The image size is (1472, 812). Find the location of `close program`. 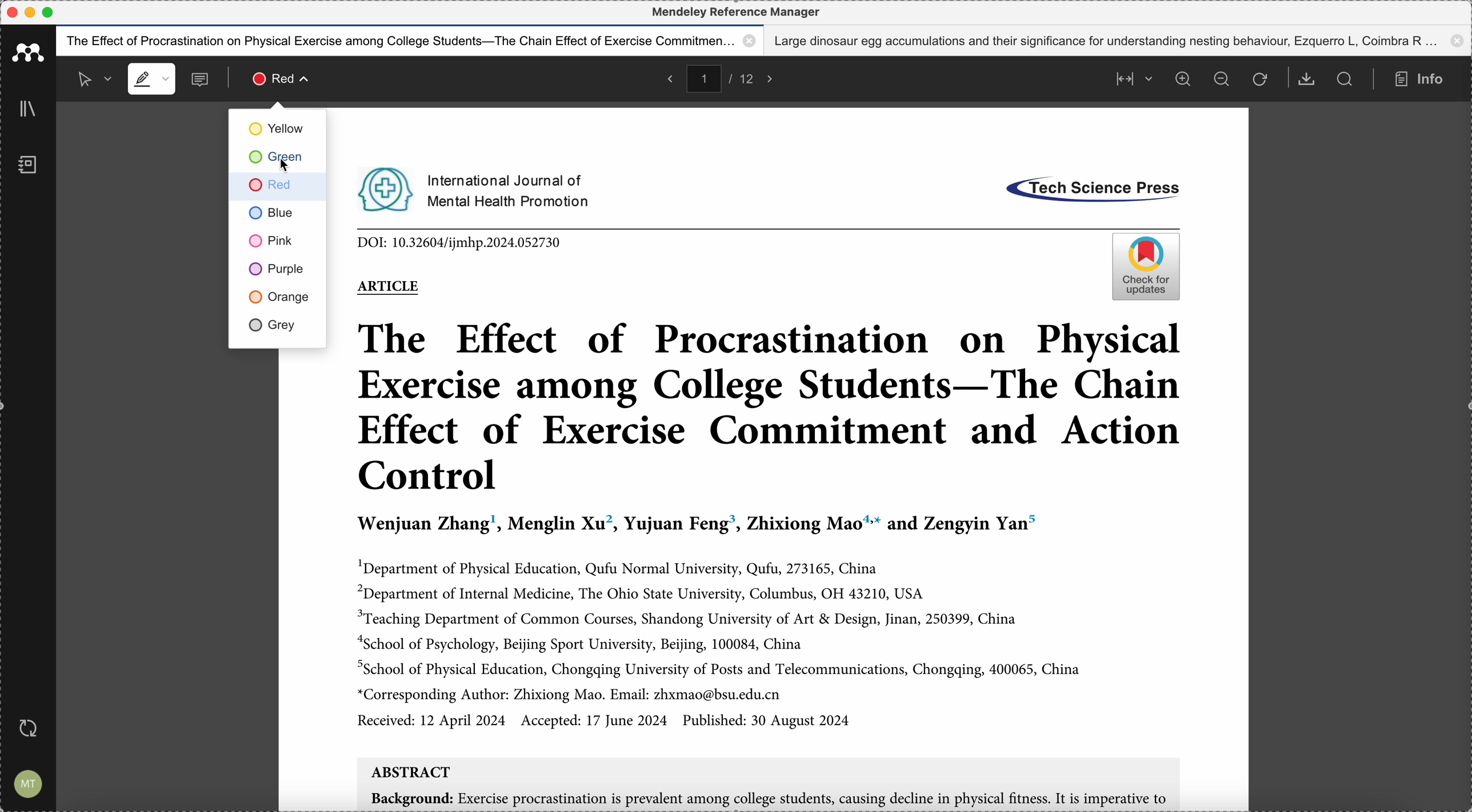

close program is located at coordinates (11, 13).